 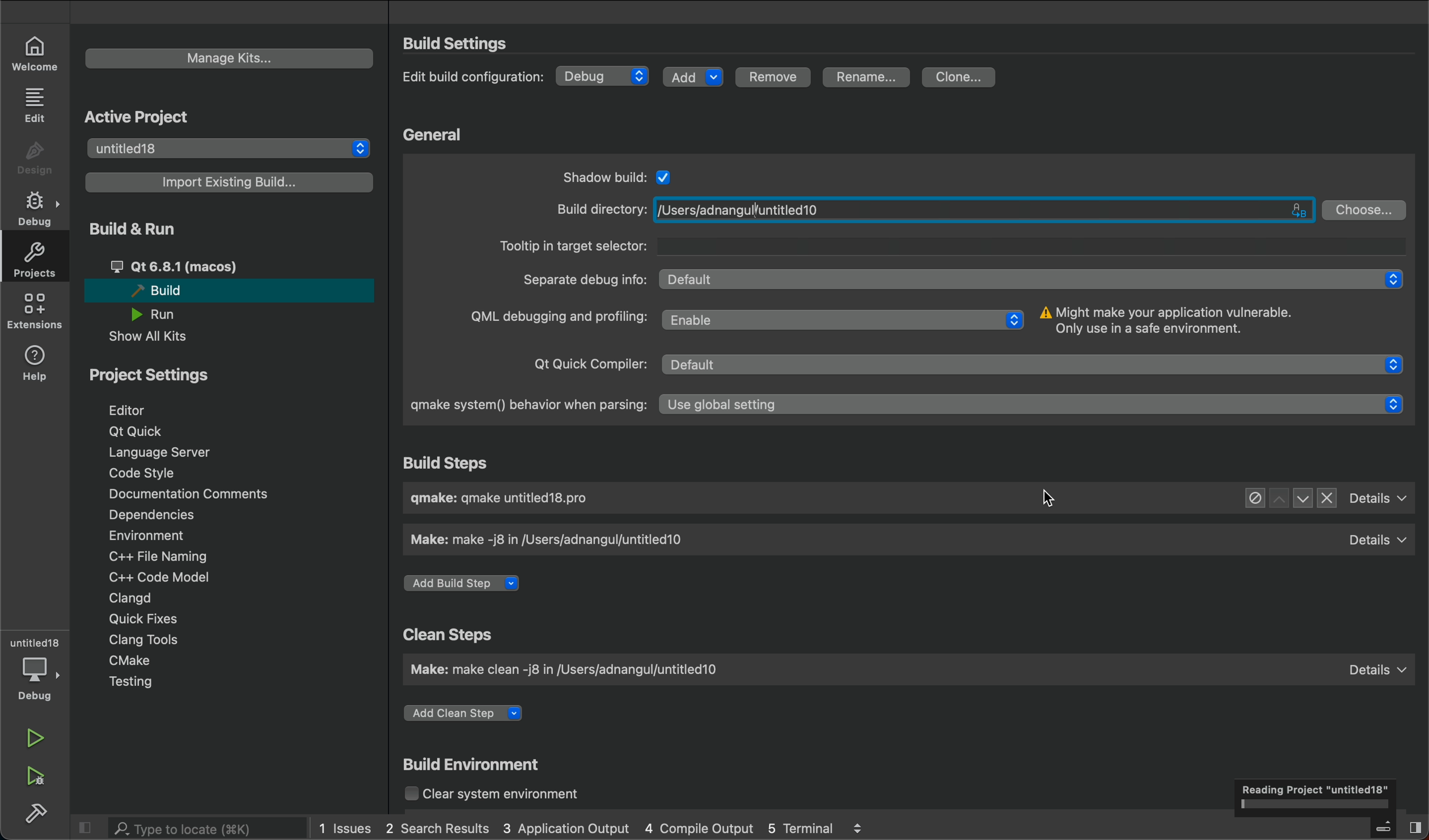 I want to click on Details, so click(x=1377, y=537).